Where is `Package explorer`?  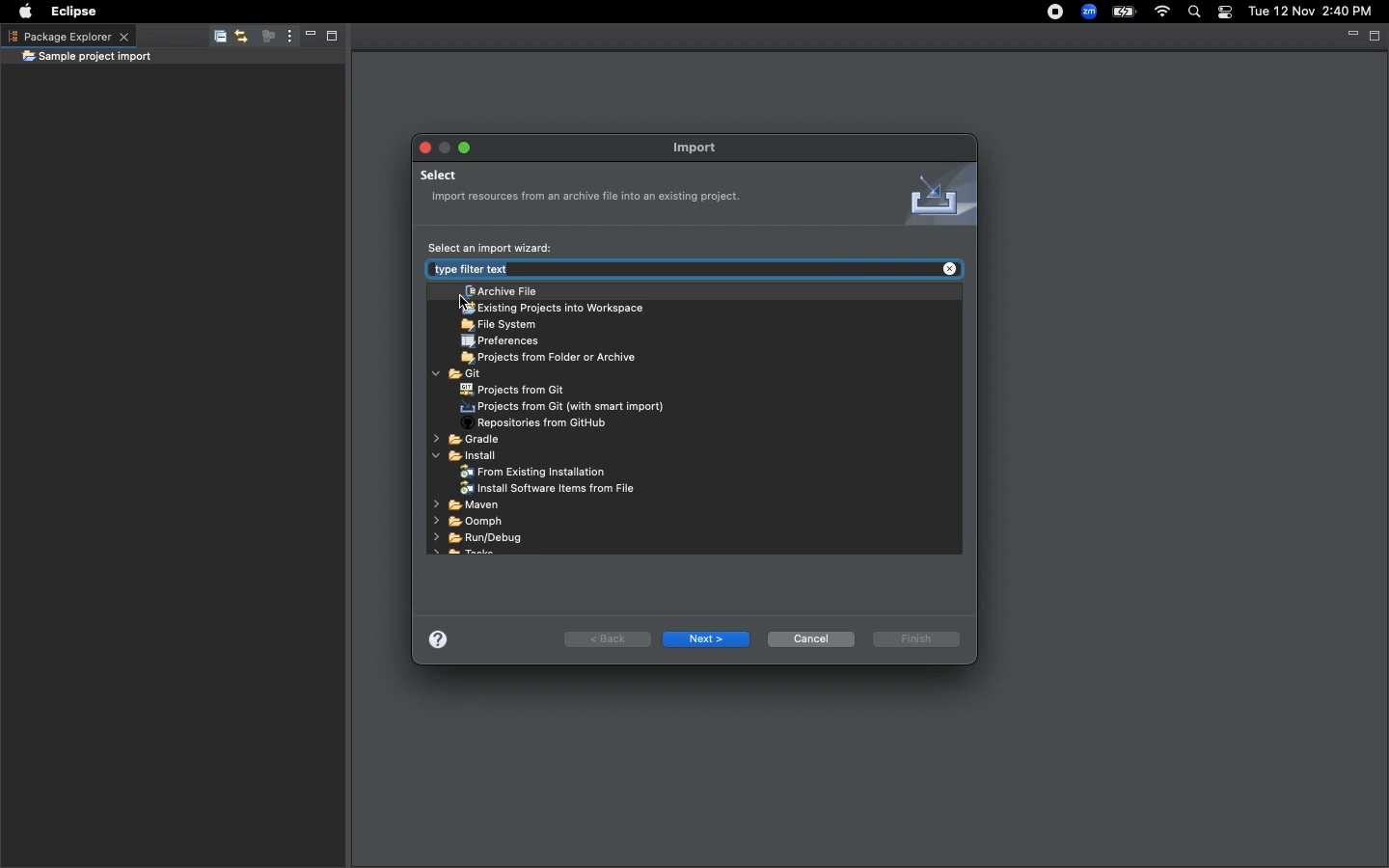 Package explorer is located at coordinates (68, 36).